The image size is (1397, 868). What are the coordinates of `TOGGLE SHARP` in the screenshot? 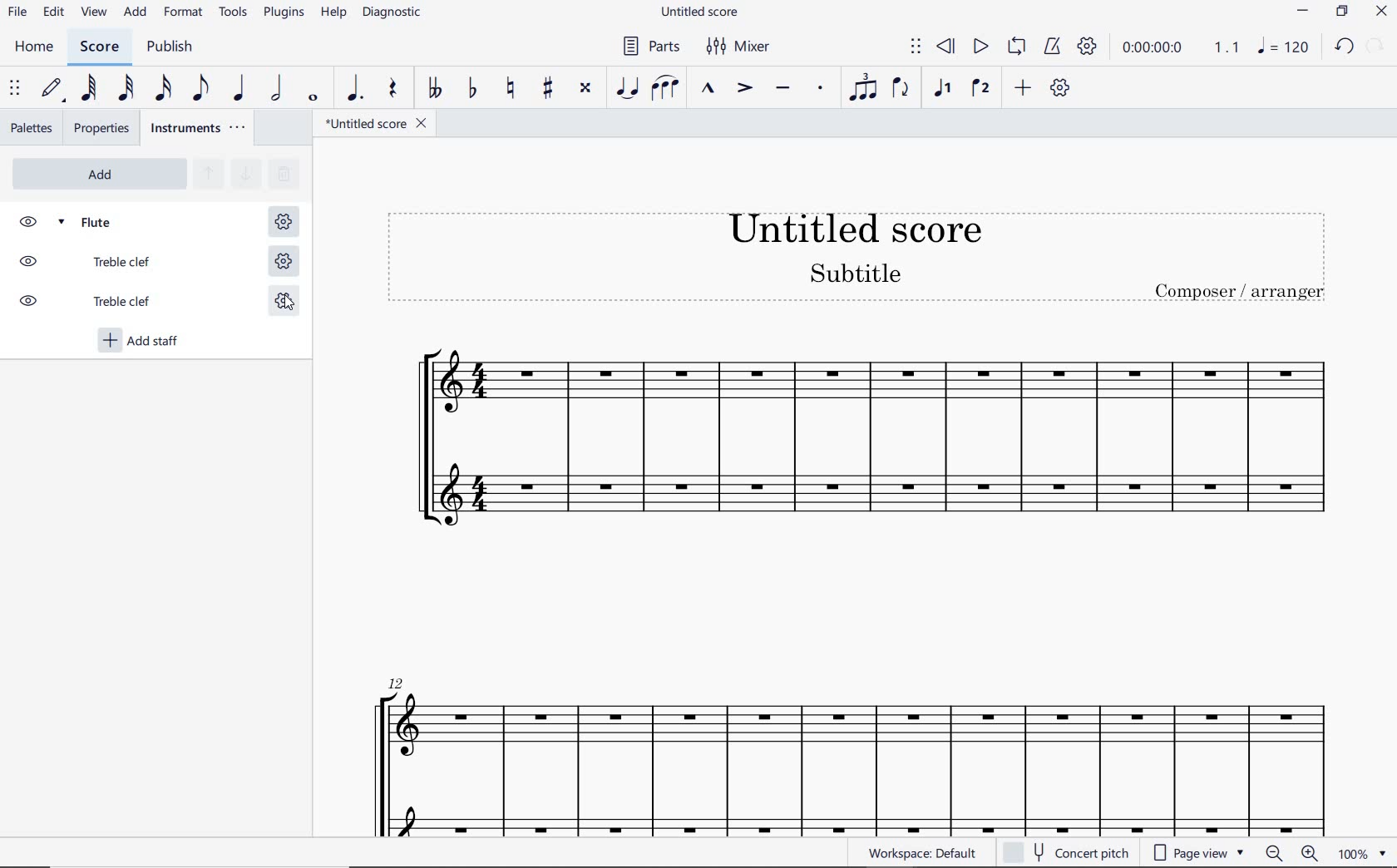 It's located at (545, 87).